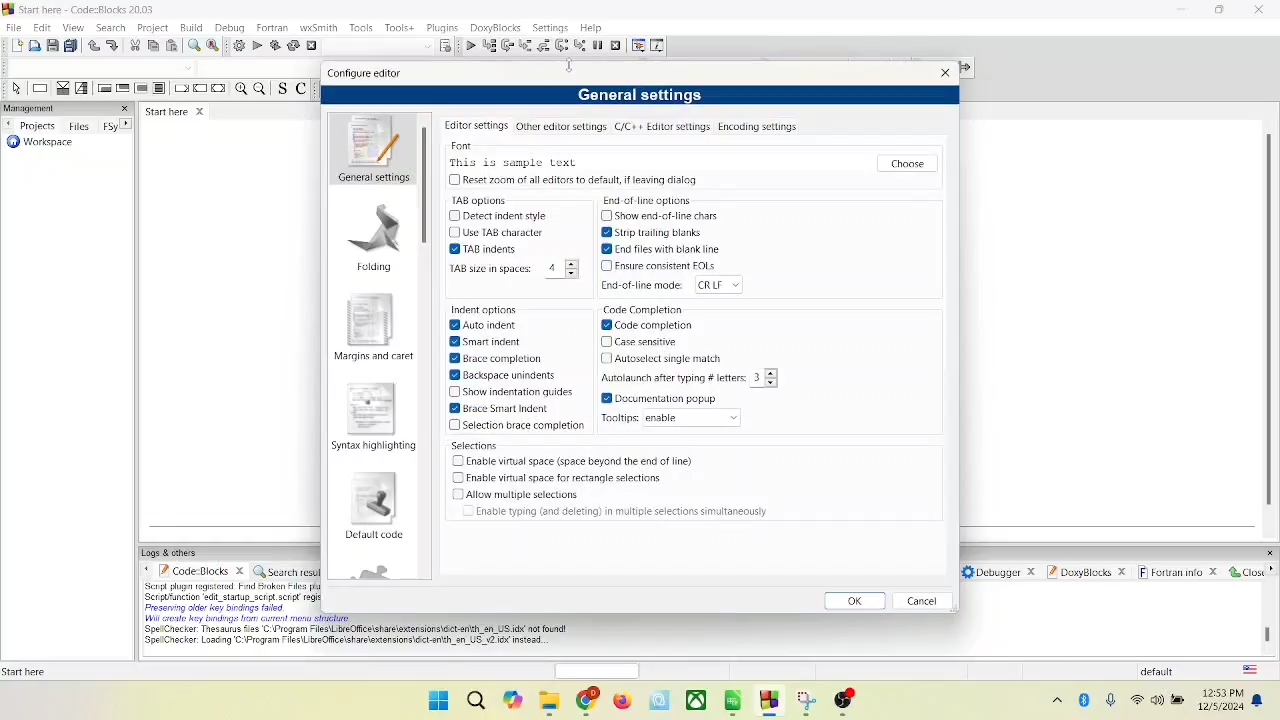 This screenshot has height=720, width=1280. I want to click on foldings, so click(374, 235).